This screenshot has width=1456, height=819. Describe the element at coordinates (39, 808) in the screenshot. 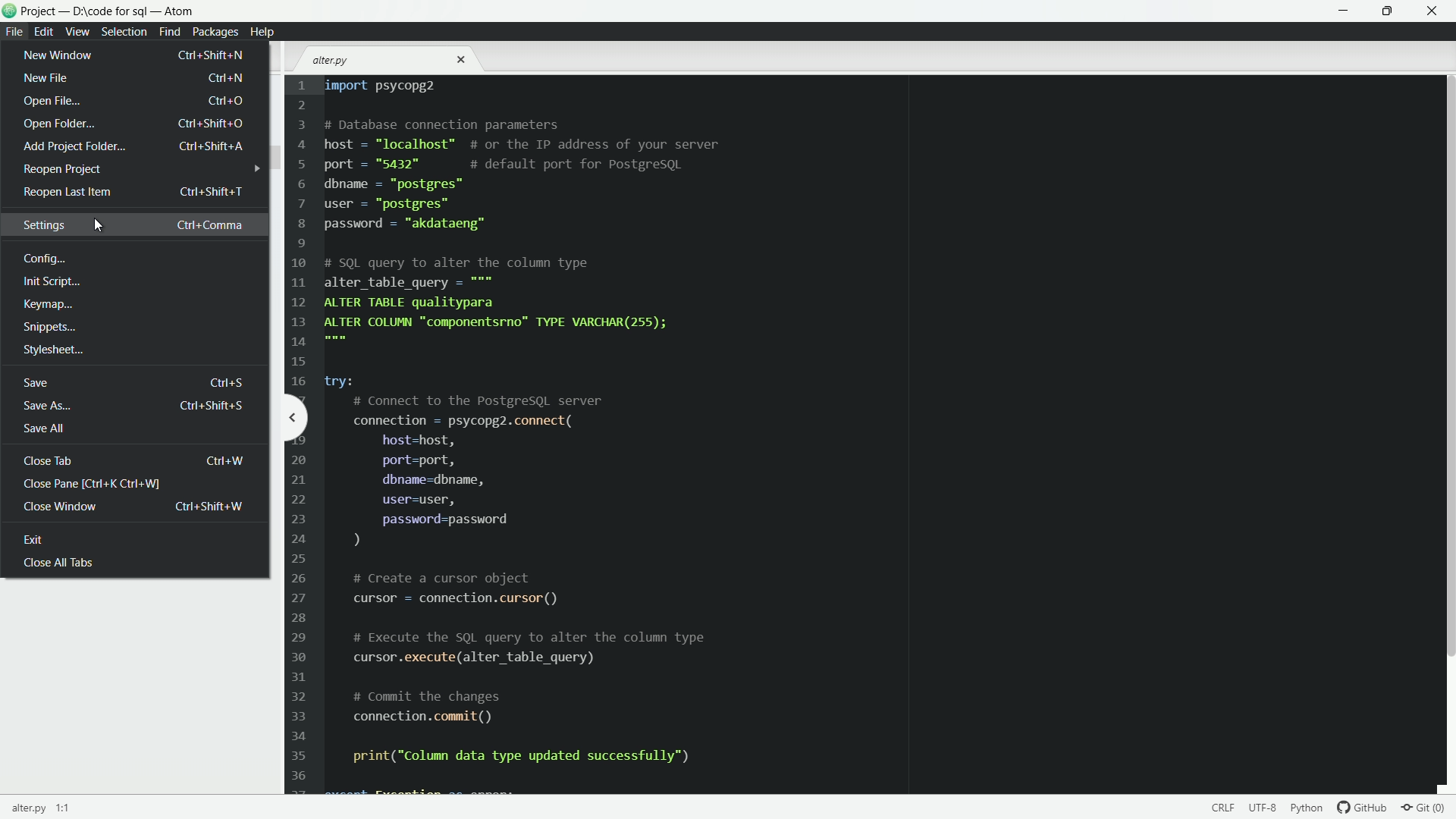

I see `current file name` at that location.